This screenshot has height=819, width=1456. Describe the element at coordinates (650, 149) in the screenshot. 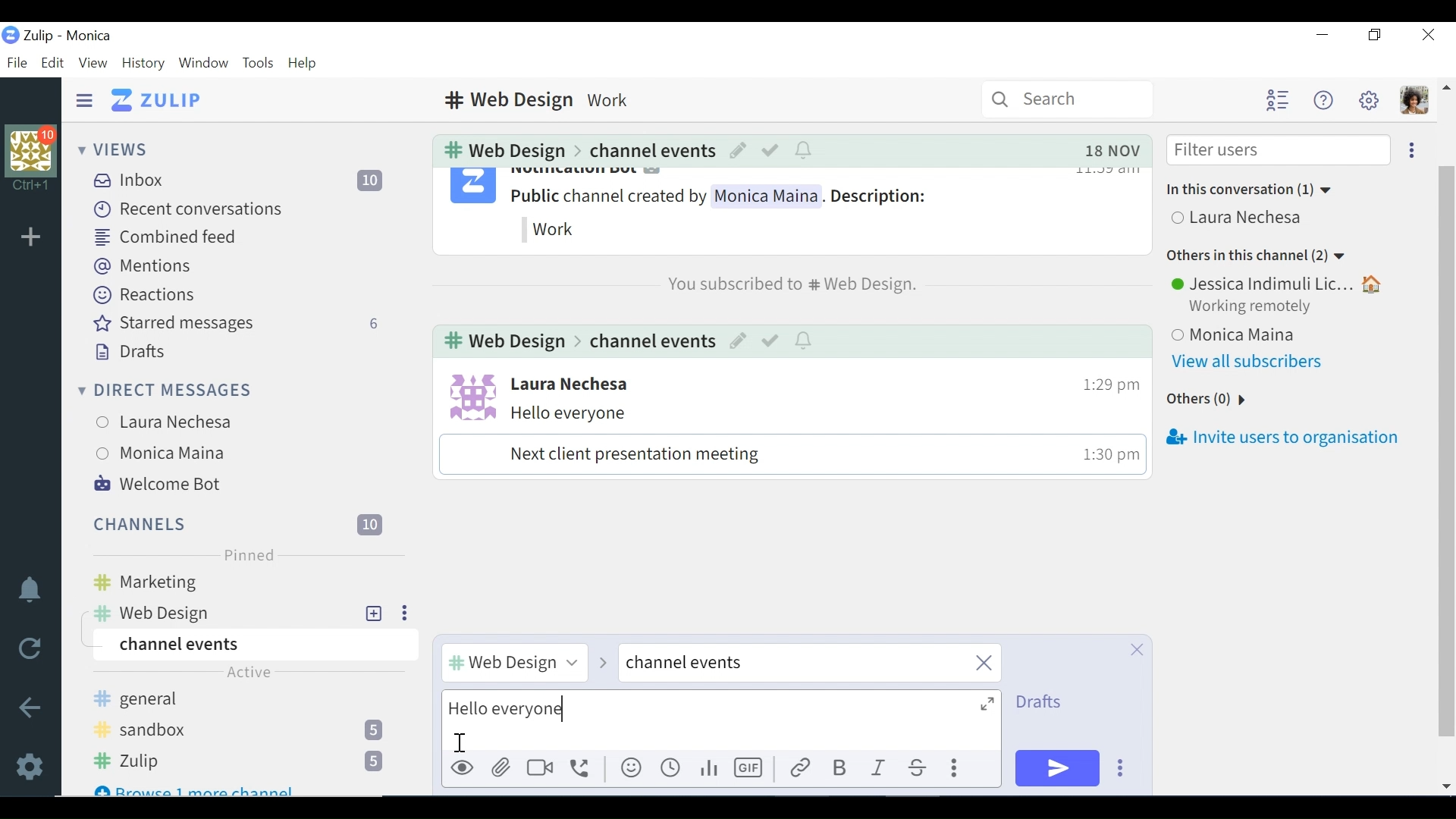

I see `Channel events` at that location.